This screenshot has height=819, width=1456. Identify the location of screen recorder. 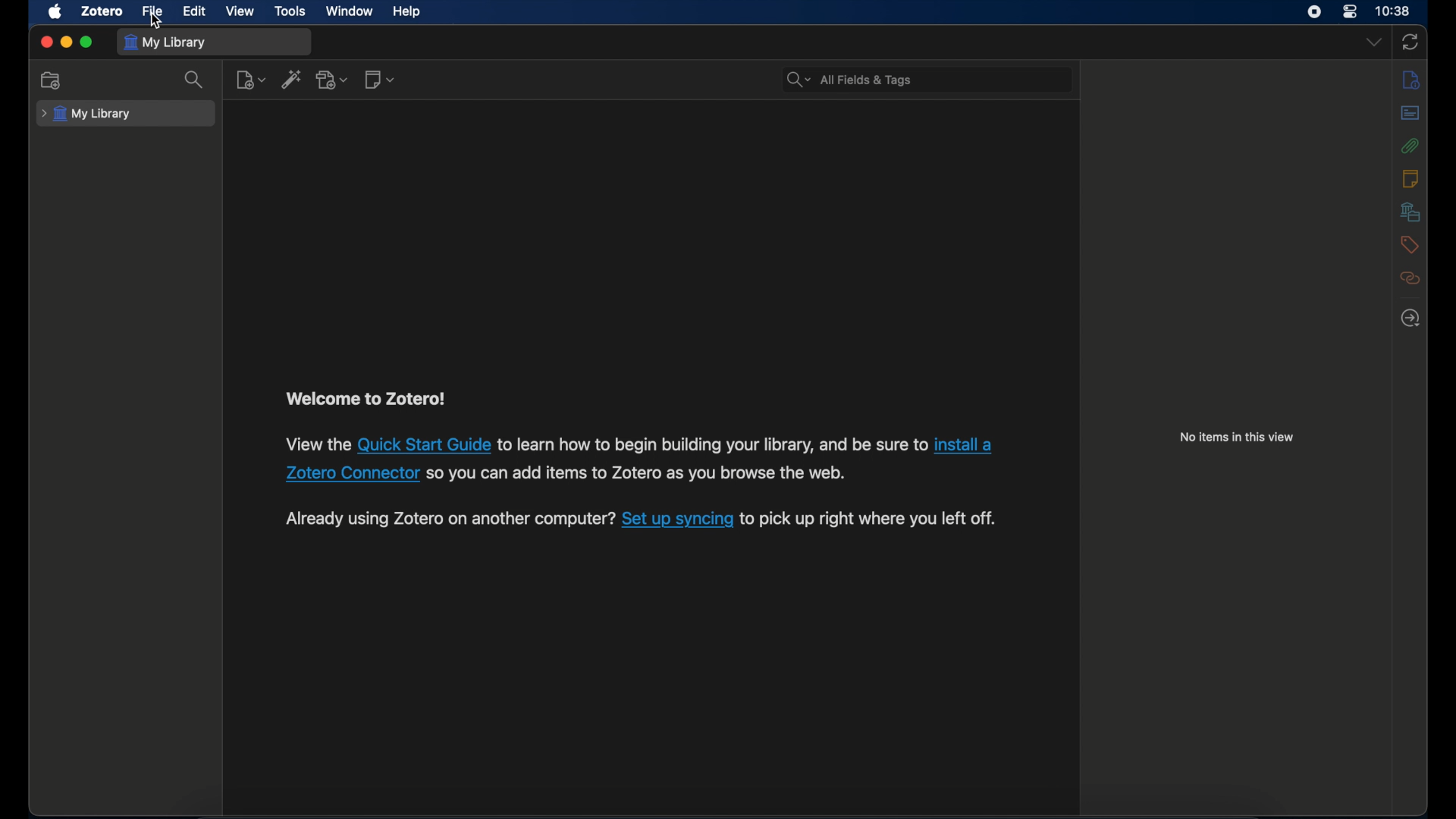
(1314, 11).